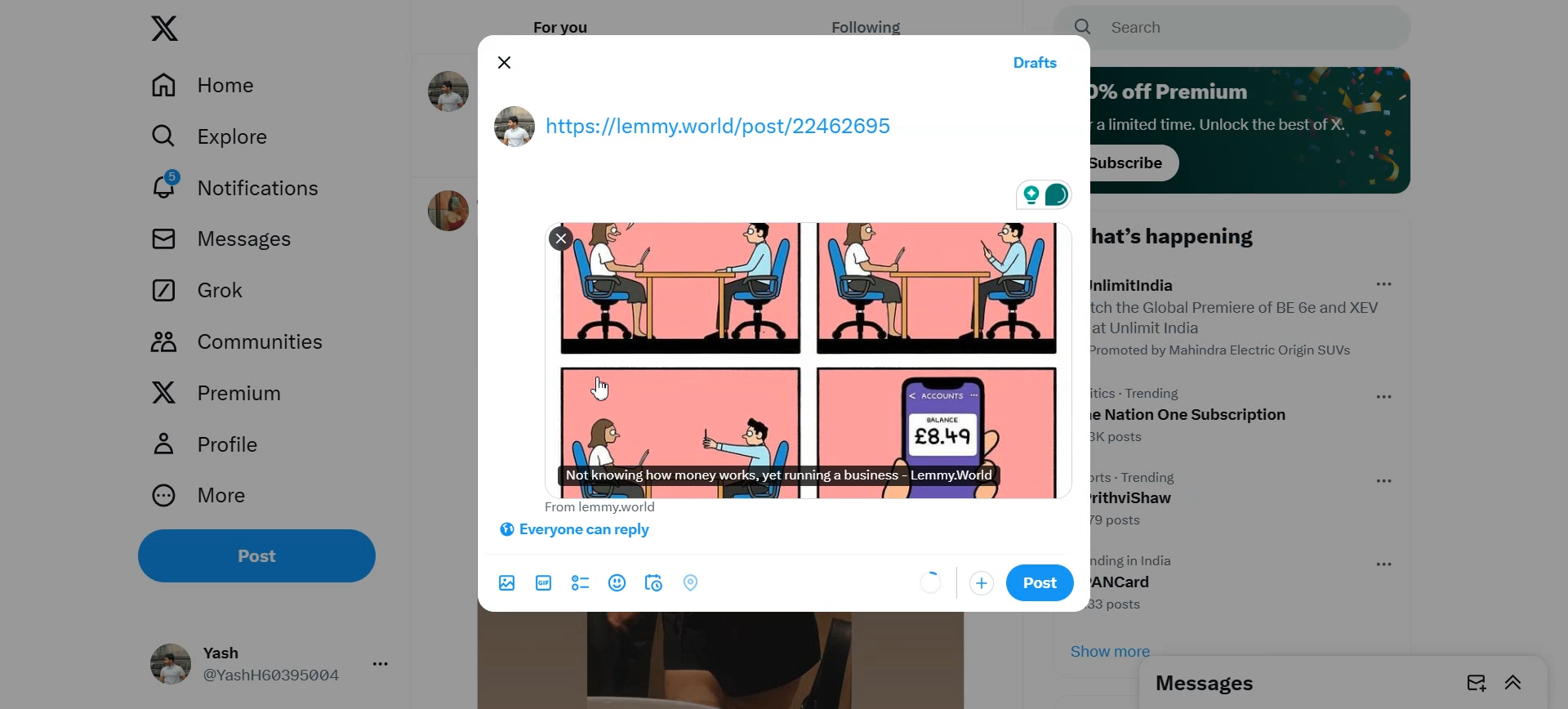  What do you see at coordinates (580, 583) in the screenshot?
I see `Poll` at bounding box center [580, 583].